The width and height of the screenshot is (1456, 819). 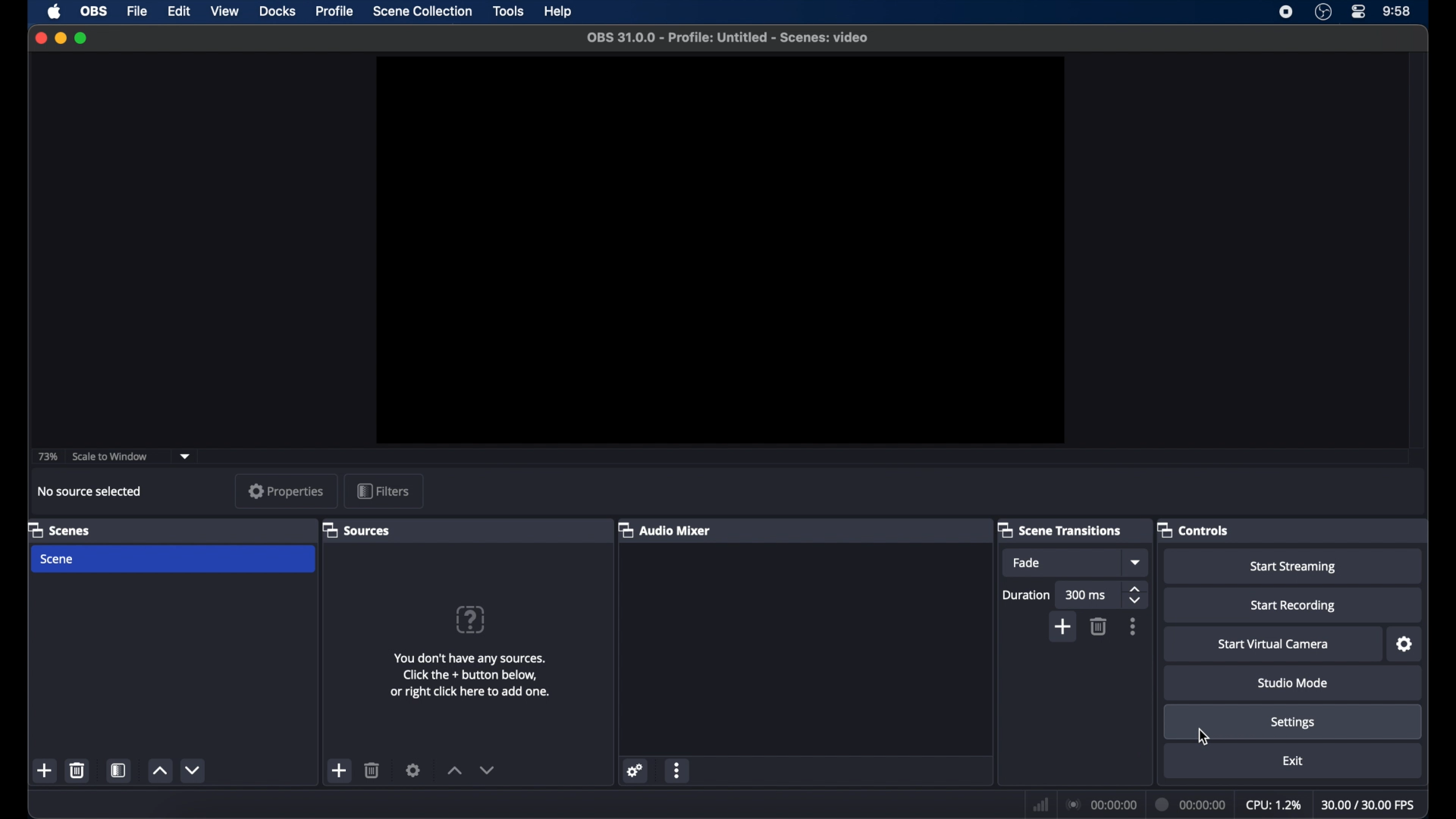 I want to click on settings, so click(x=1294, y=723).